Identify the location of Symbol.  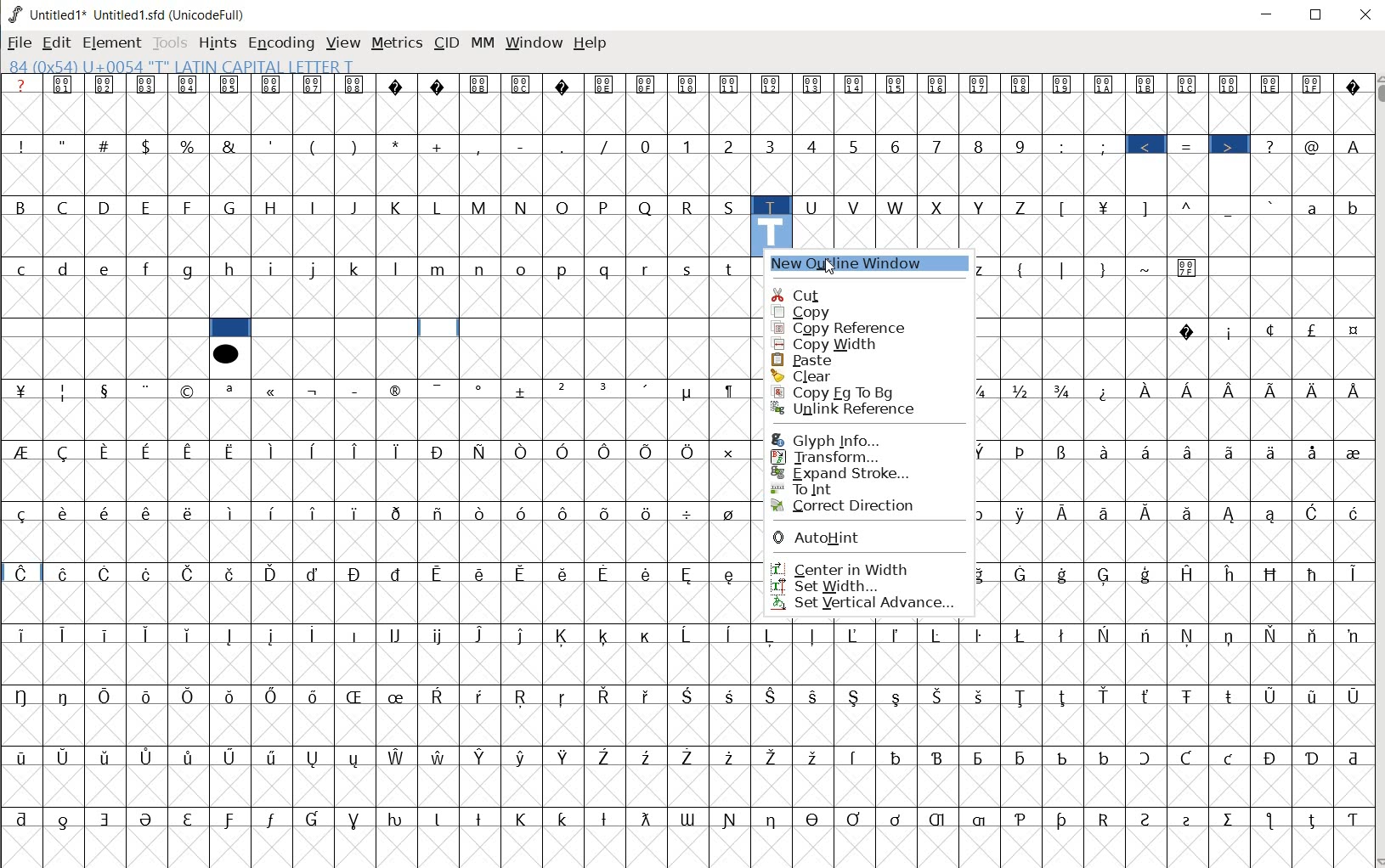
(1066, 513).